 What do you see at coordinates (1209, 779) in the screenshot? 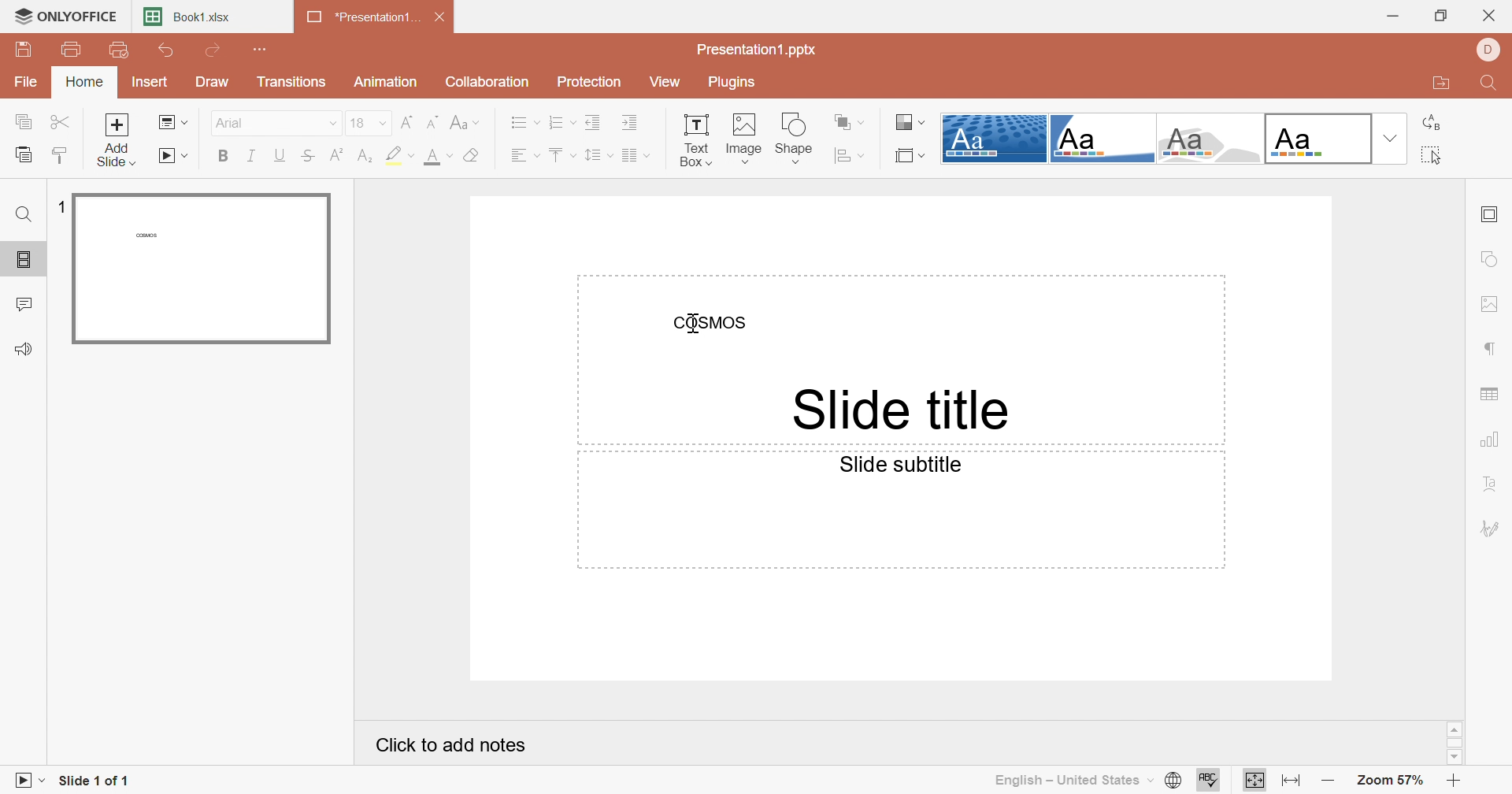
I see `Check spelling` at bounding box center [1209, 779].